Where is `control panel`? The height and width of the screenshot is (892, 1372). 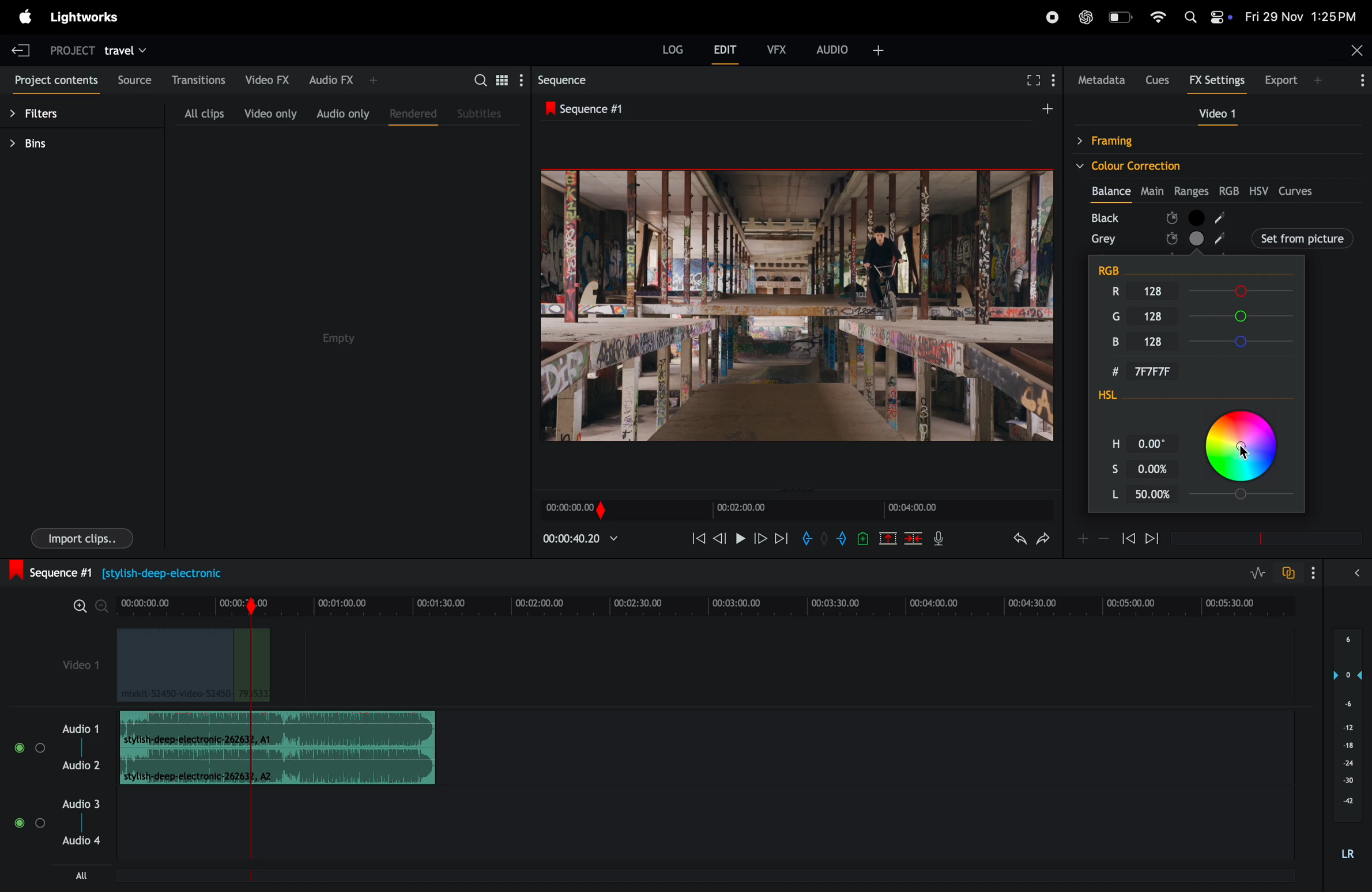
control panel is located at coordinates (1222, 18).